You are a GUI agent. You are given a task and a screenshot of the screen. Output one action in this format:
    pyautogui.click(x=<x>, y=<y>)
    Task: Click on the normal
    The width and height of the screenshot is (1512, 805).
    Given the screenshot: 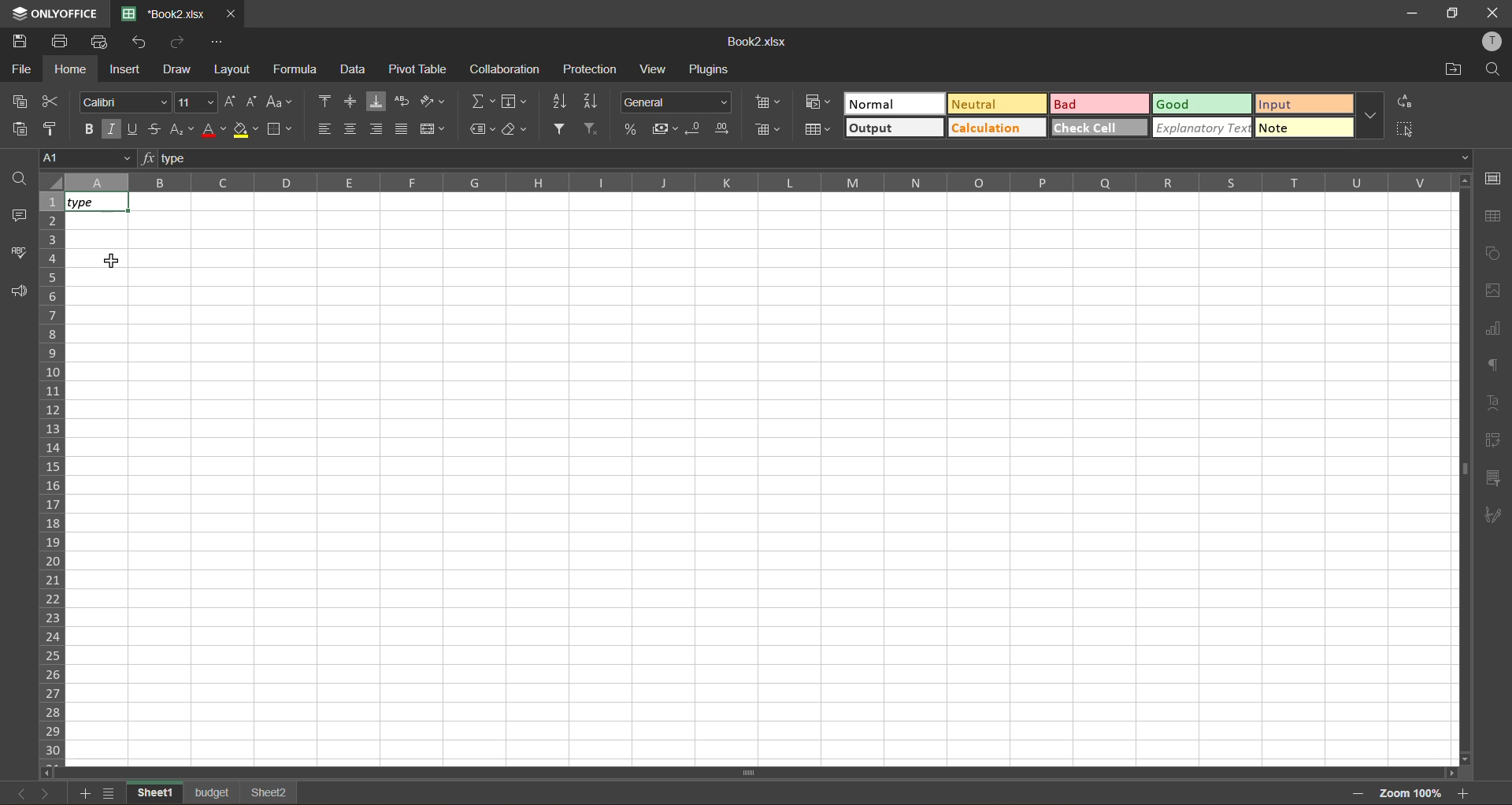 What is the action you would take?
    pyautogui.click(x=892, y=103)
    